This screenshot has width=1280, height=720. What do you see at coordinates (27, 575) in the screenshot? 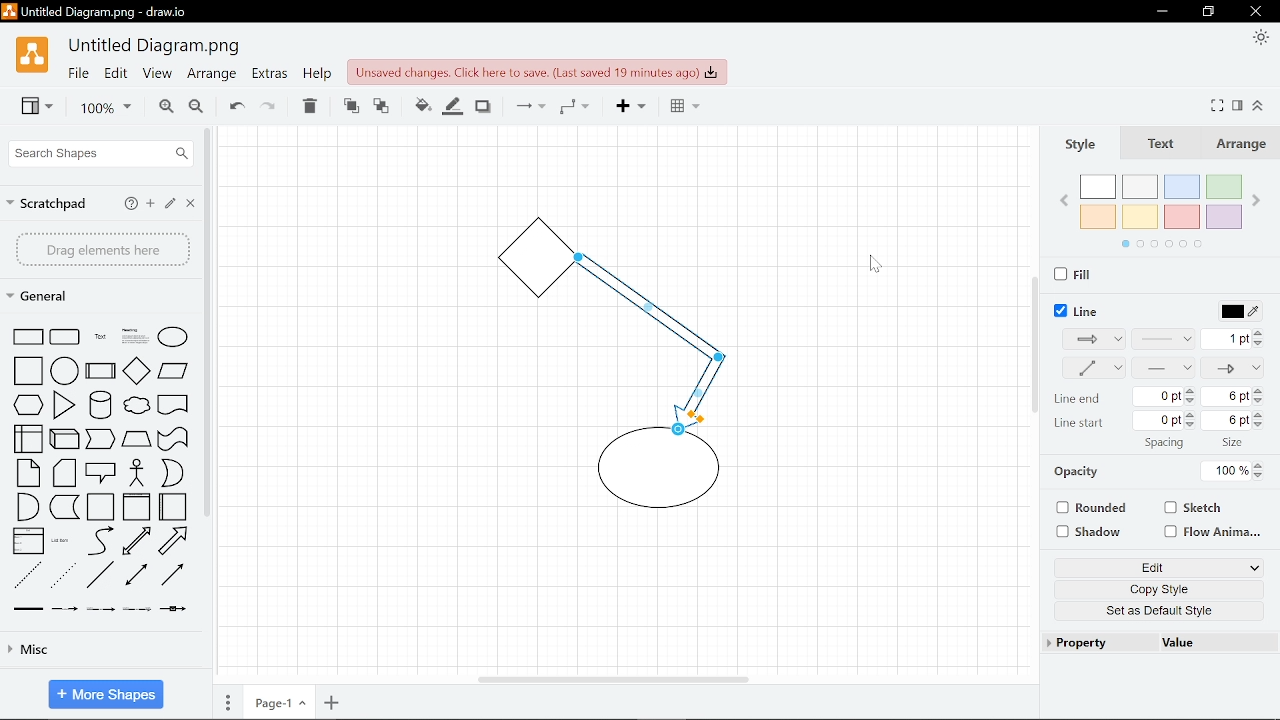
I see `shape` at bounding box center [27, 575].